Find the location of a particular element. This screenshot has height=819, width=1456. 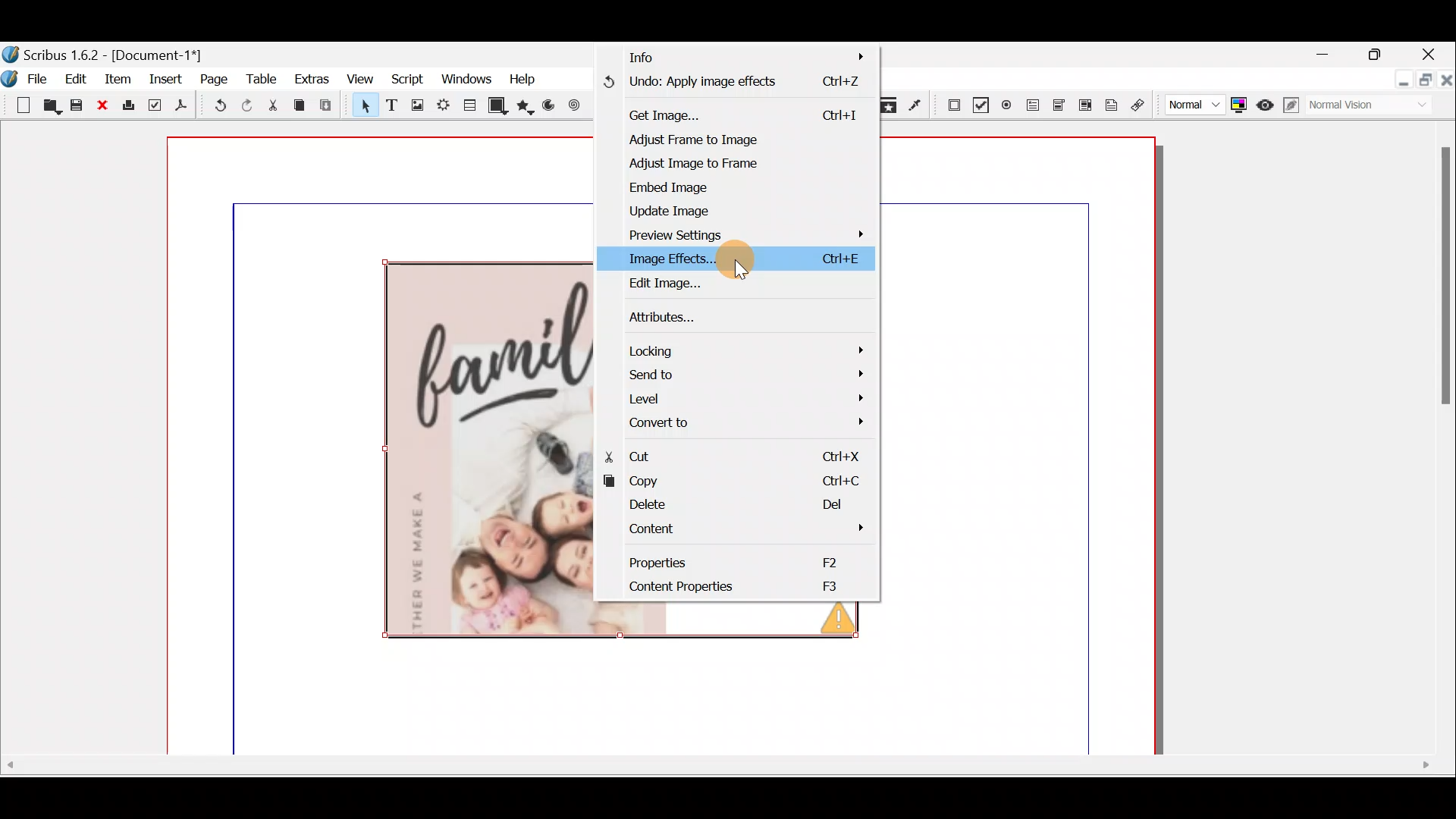

Visual appearance is located at coordinates (1355, 106).